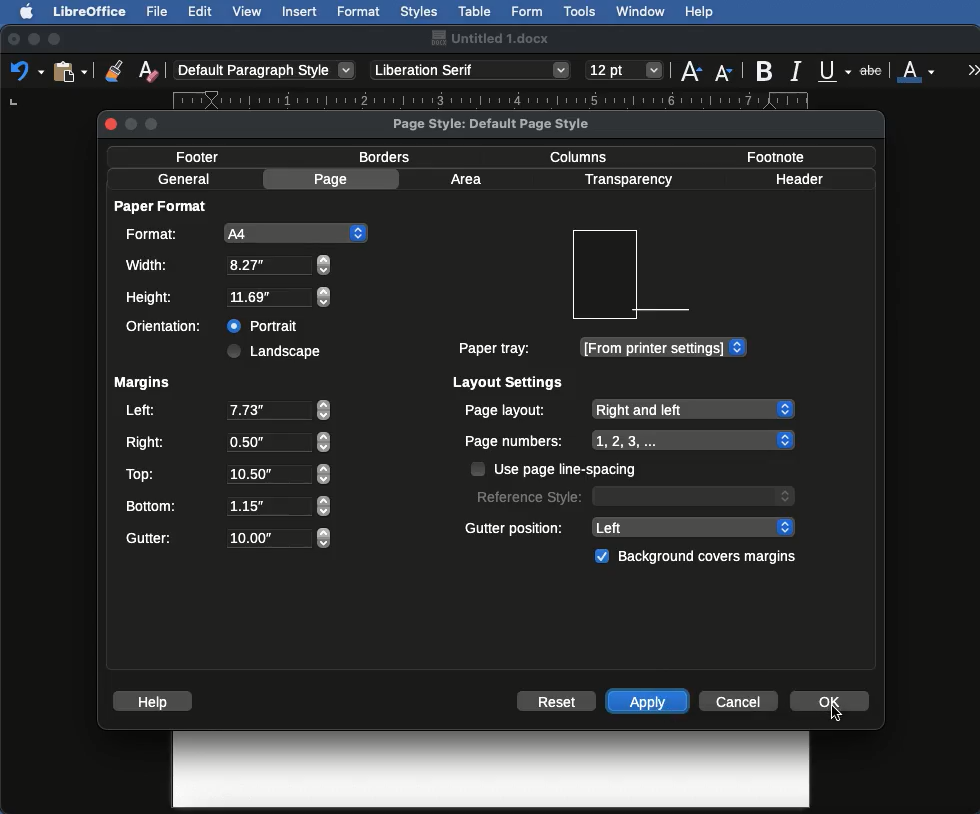  I want to click on Background covers margins, so click(699, 557).